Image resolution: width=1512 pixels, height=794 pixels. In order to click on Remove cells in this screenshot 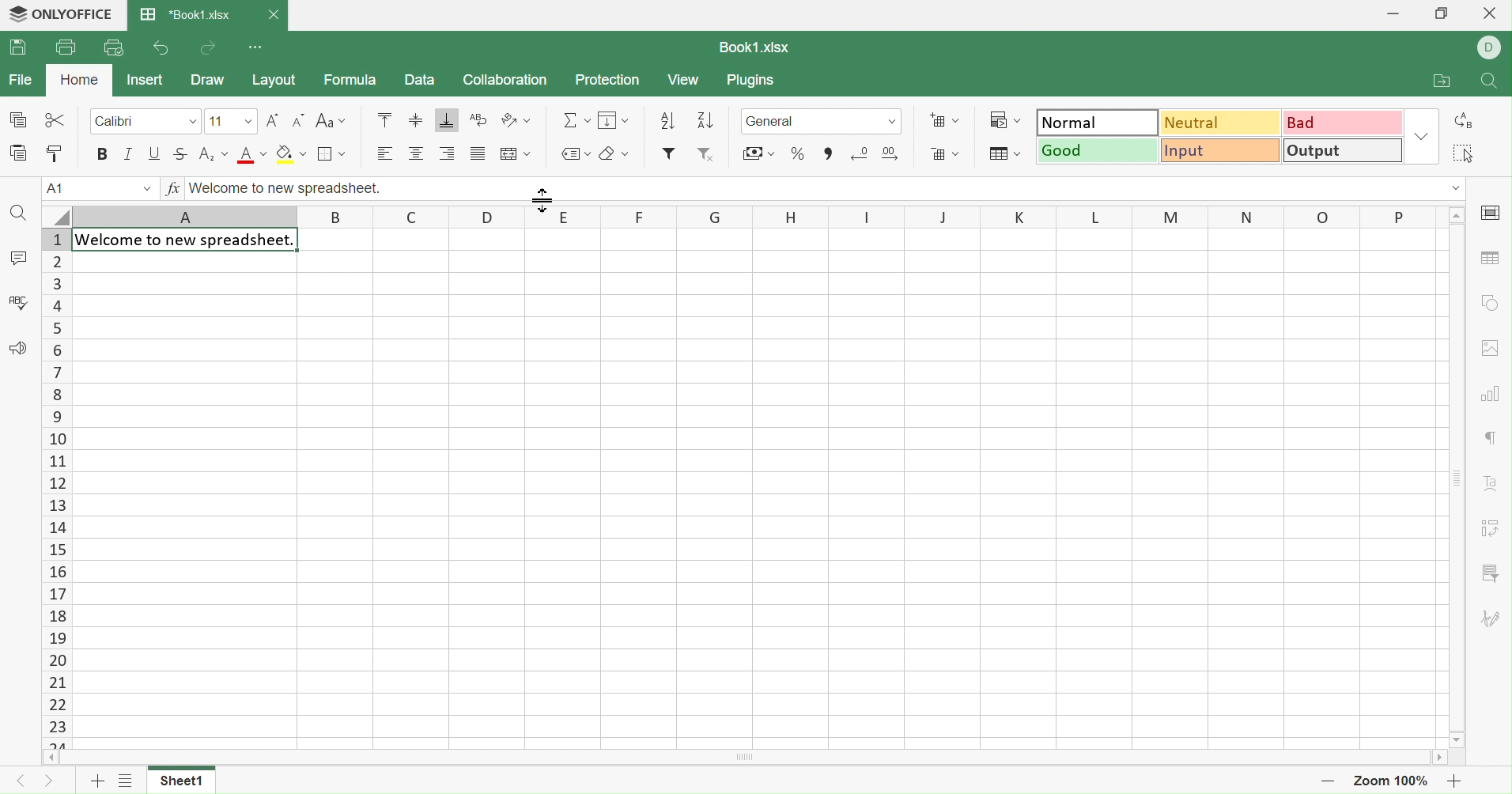, I will do `click(946, 155)`.